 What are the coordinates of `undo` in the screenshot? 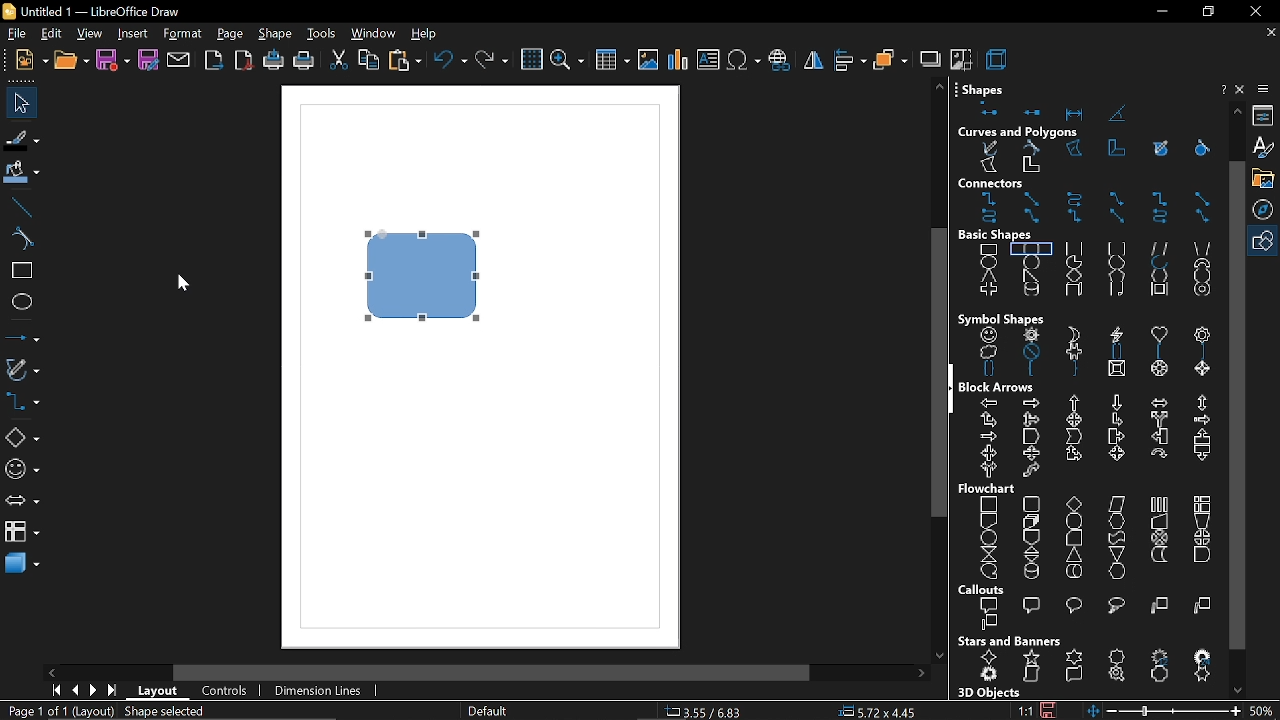 It's located at (450, 62).